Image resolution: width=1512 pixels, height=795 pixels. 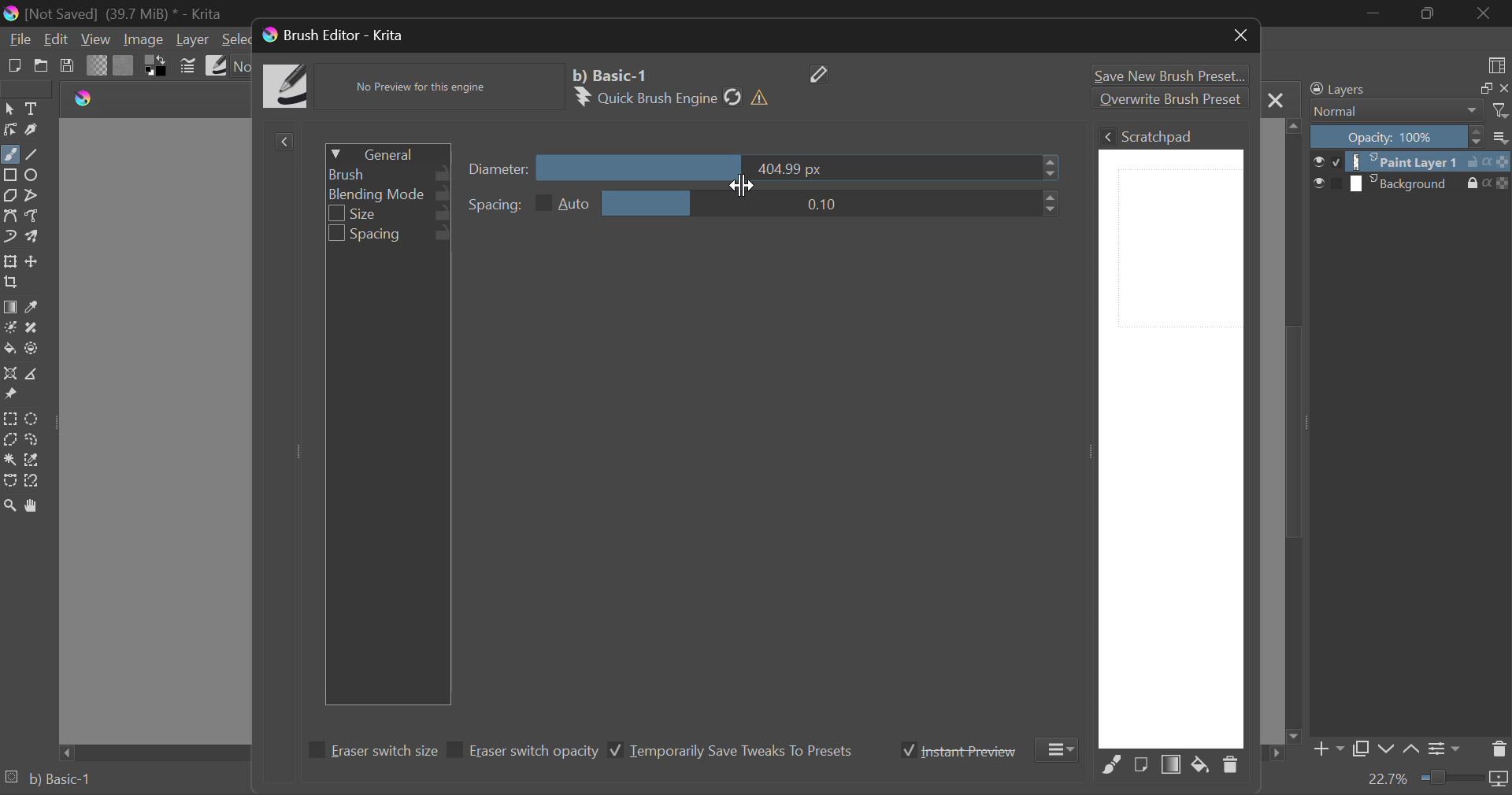 I want to click on View, so click(x=96, y=39).